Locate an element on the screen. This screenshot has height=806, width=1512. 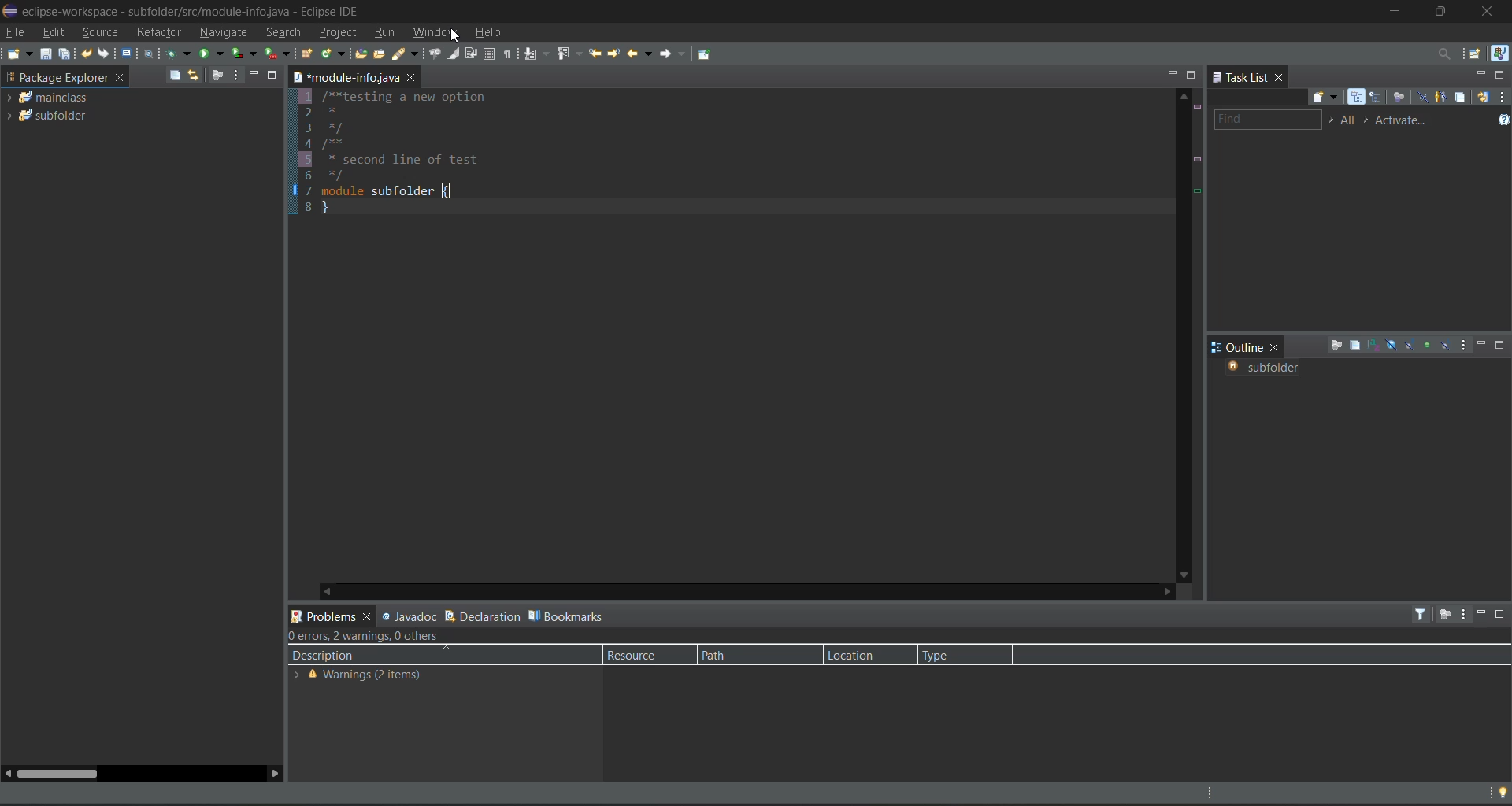
subfolder is located at coordinates (61, 121).